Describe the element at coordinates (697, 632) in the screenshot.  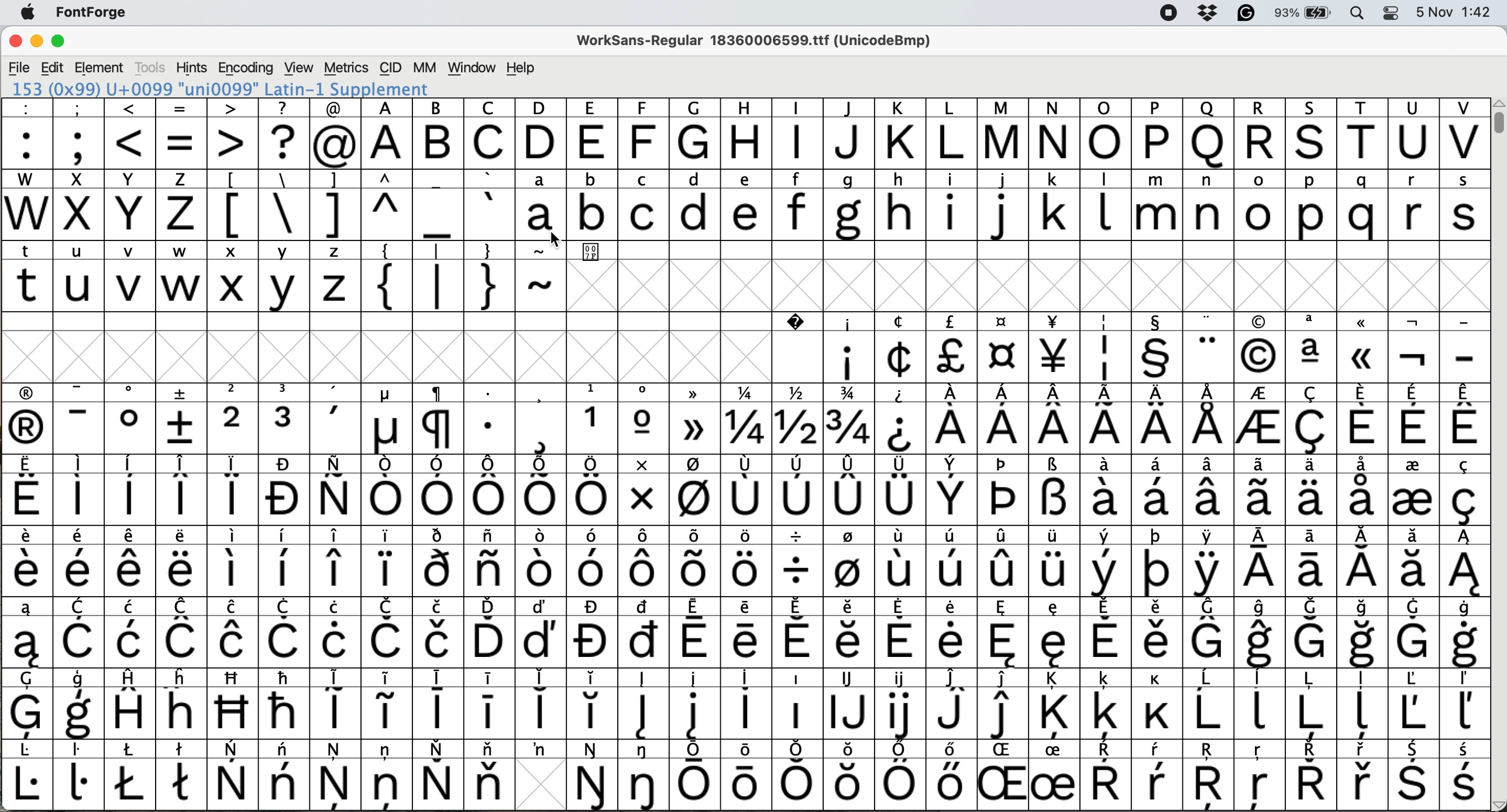
I see `symbol` at that location.